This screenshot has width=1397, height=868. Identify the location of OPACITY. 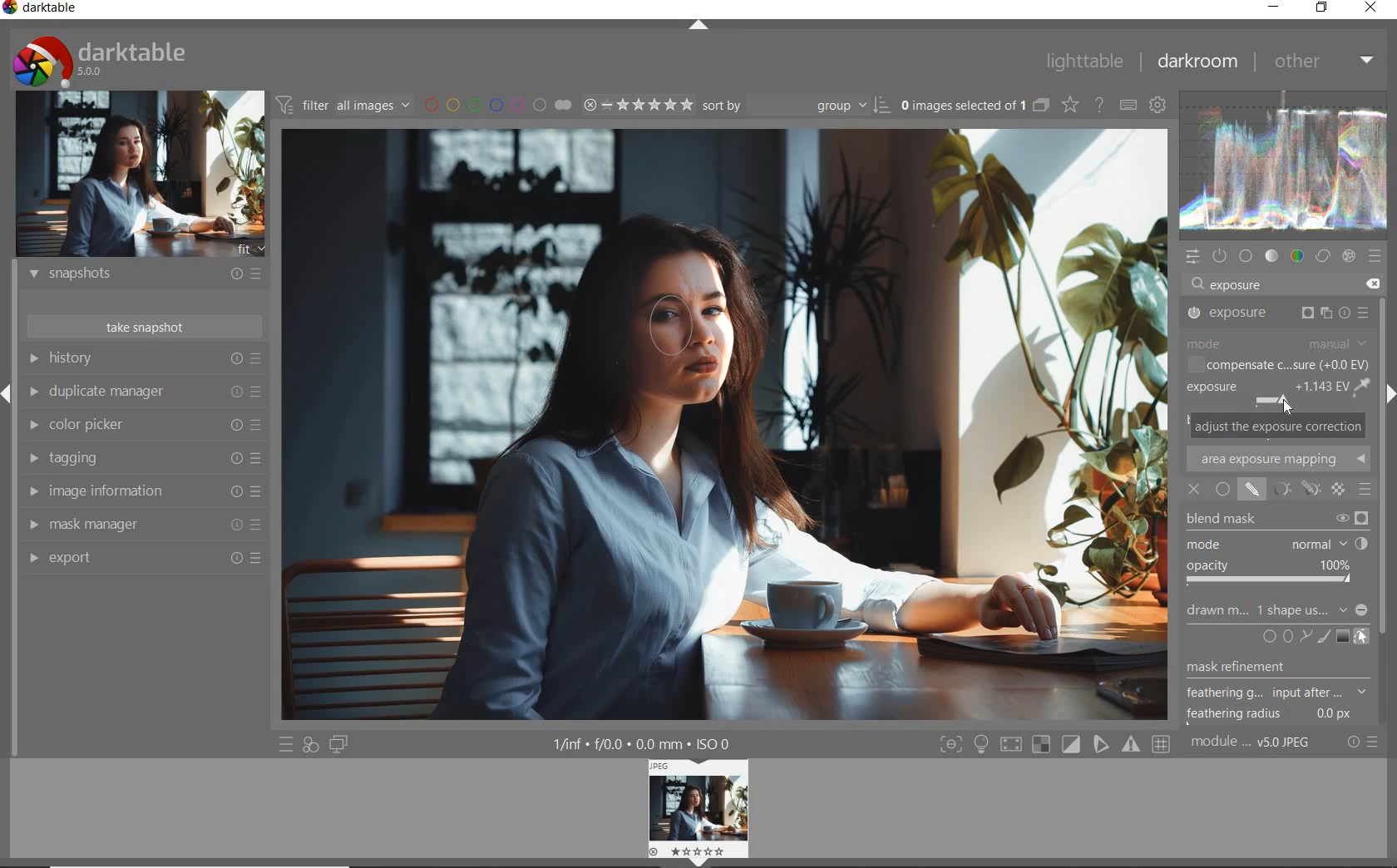
(1273, 574).